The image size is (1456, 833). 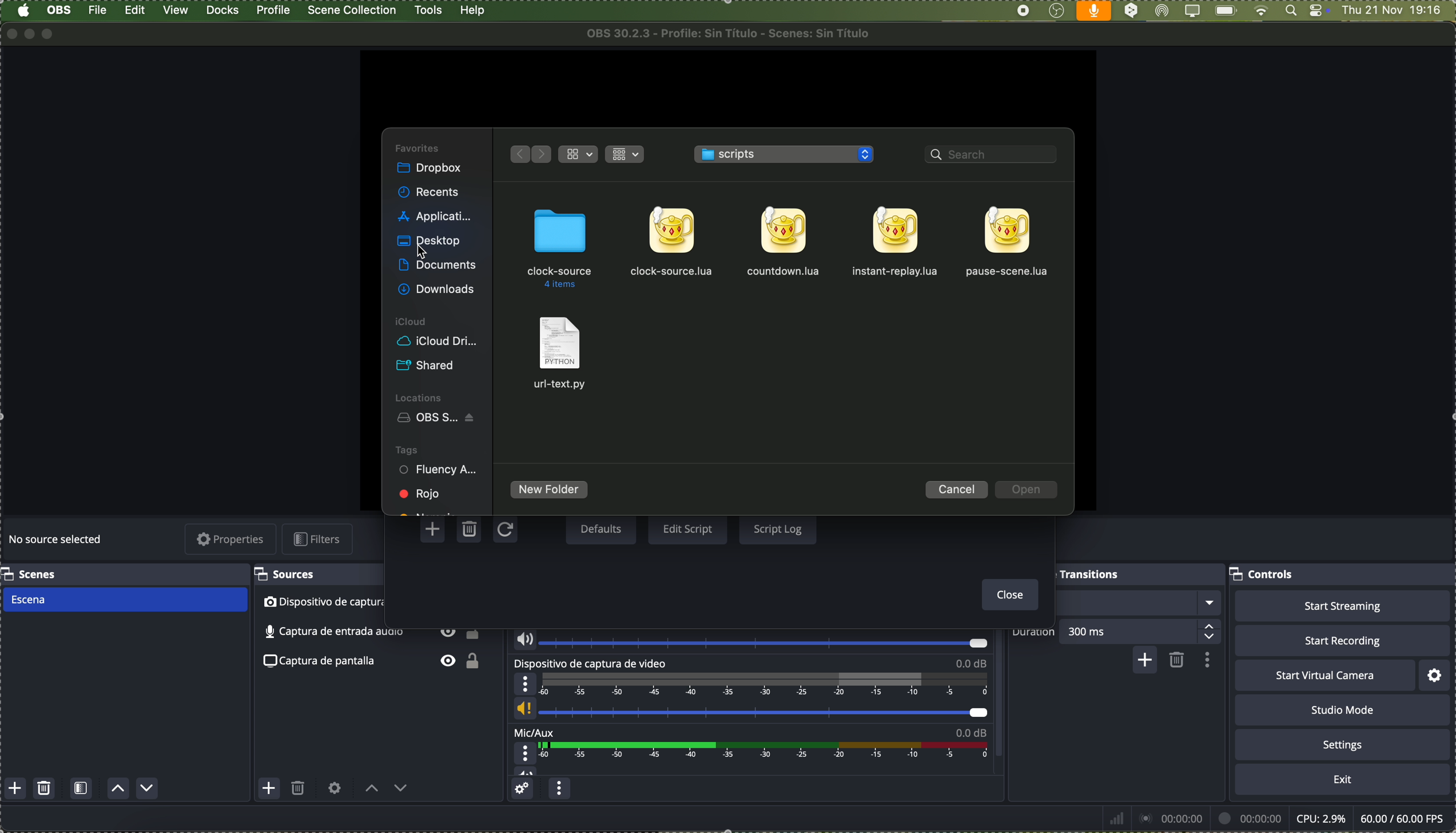 What do you see at coordinates (1056, 11) in the screenshot?
I see `OBS Studio` at bounding box center [1056, 11].